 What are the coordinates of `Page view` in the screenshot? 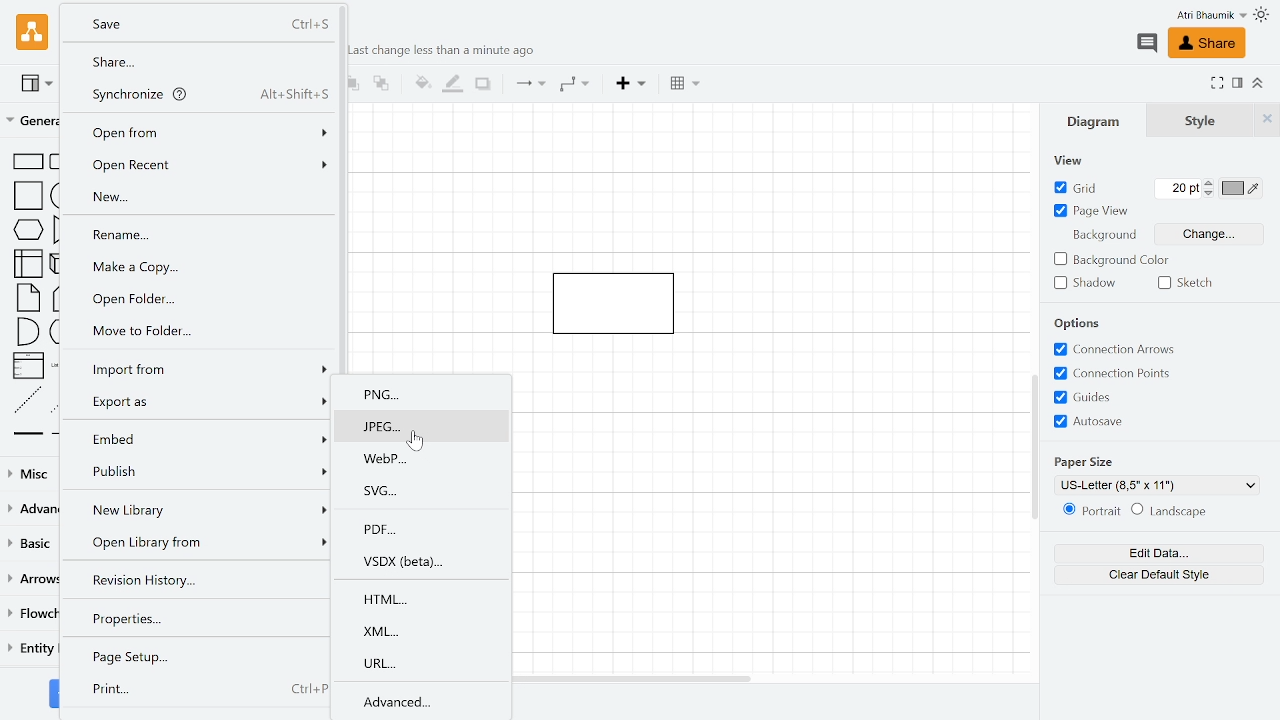 It's located at (1091, 211).